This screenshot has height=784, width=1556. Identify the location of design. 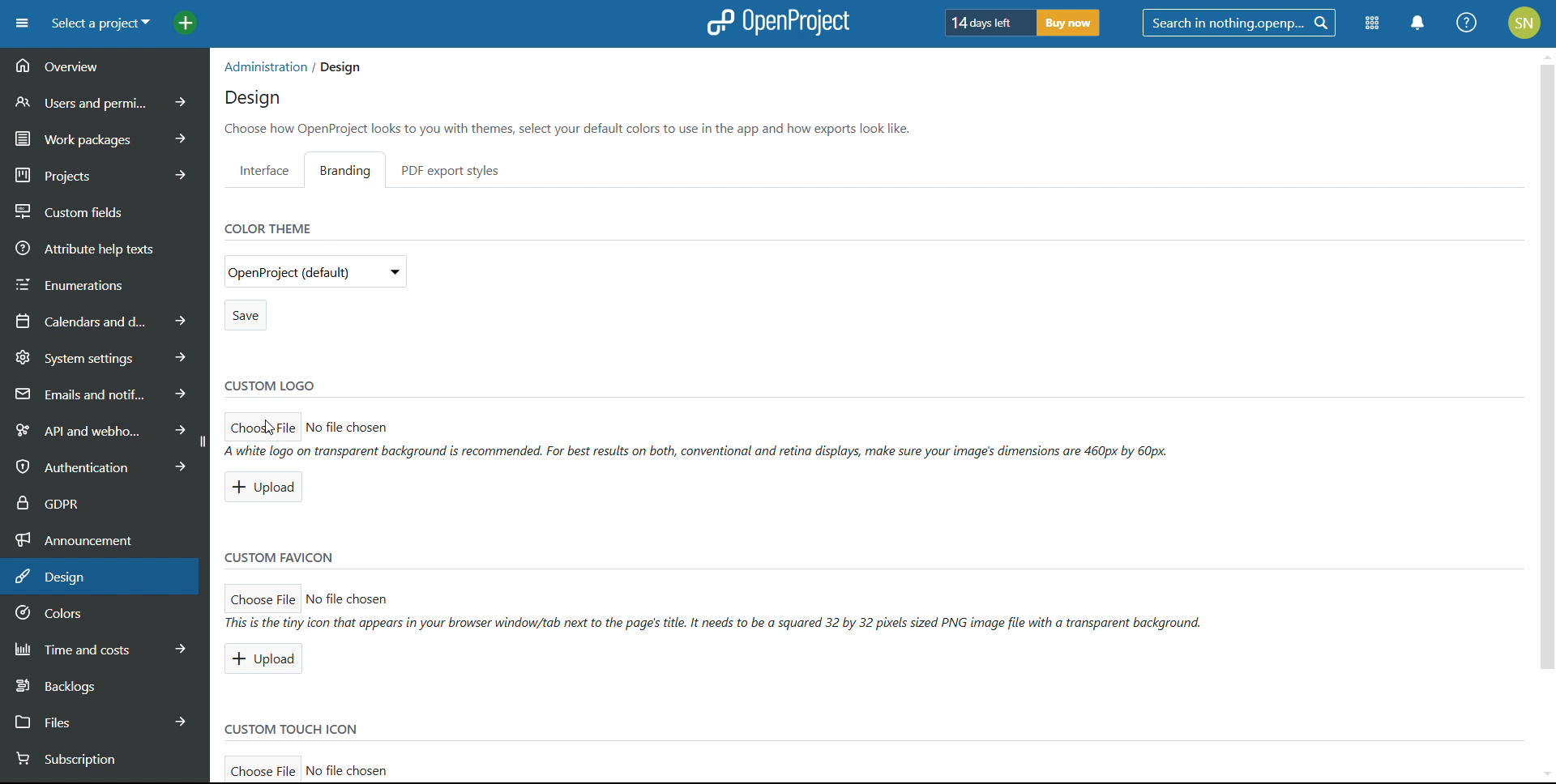
(253, 99).